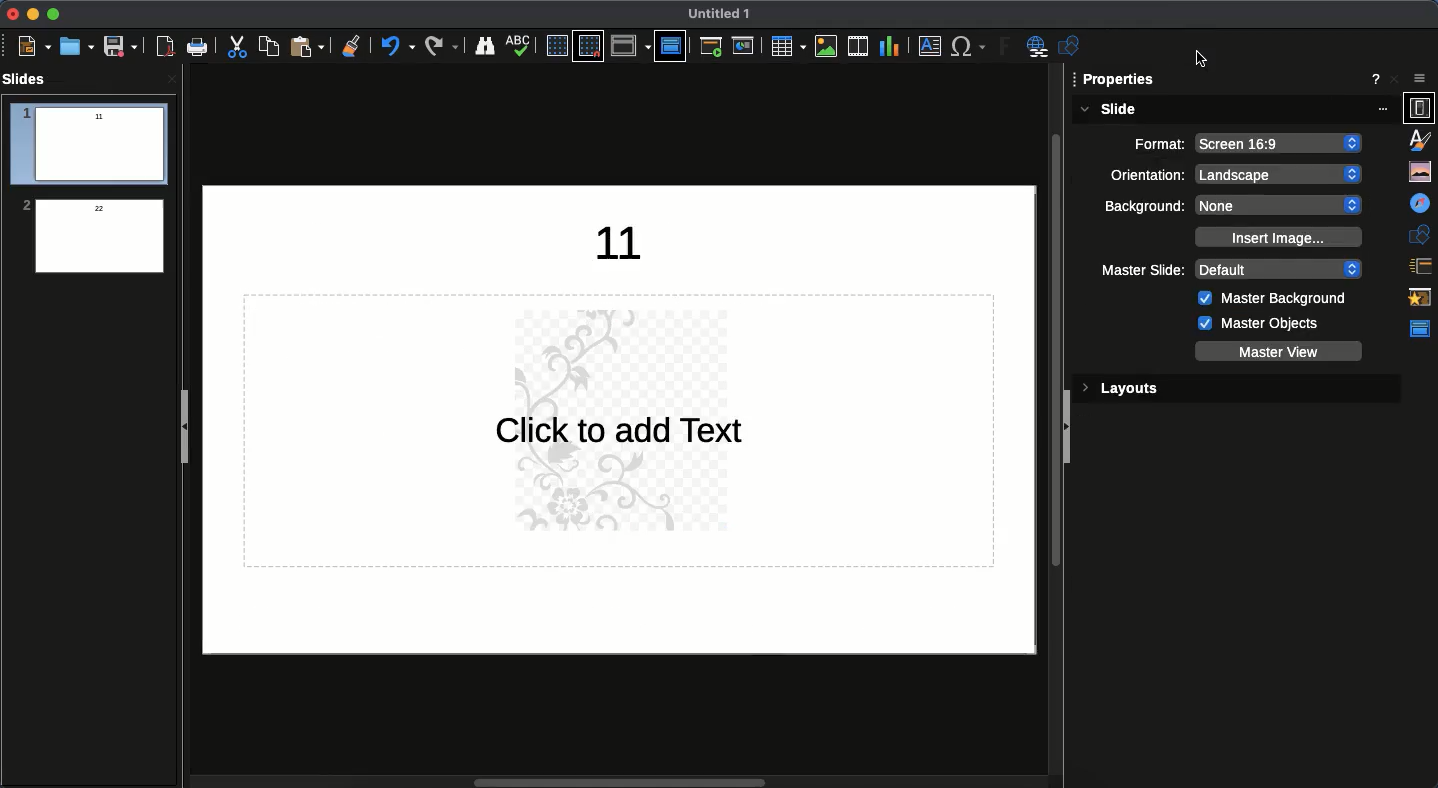 This screenshot has width=1438, height=788. What do you see at coordinates (588, 47) in the screenshot?
I see `Snap grid` at bounding box center [588, 47].